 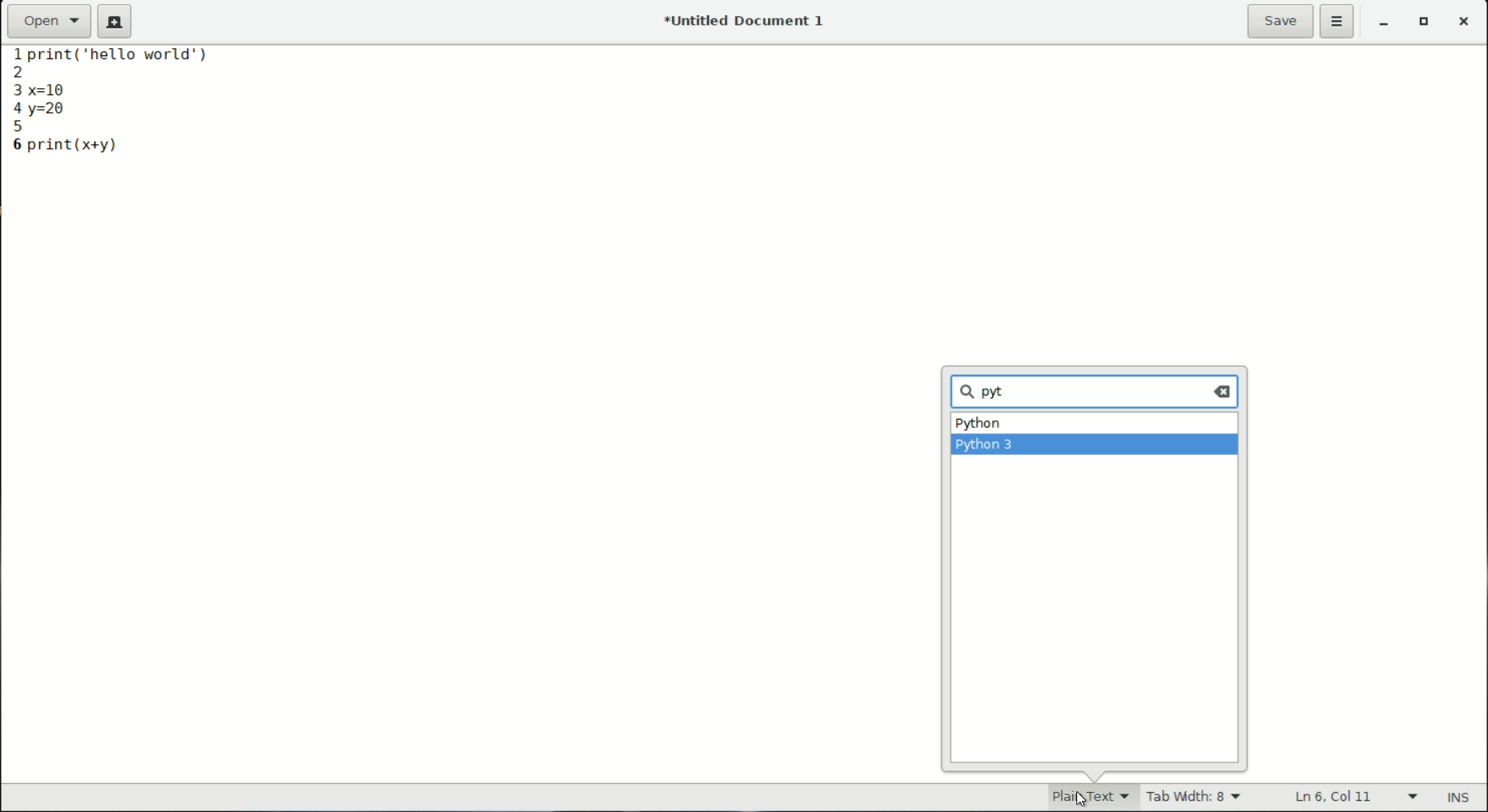 What do you see at coordinates (13, 100) in the screenshot?
I see `line numbers` at bounding box center [13, 100].